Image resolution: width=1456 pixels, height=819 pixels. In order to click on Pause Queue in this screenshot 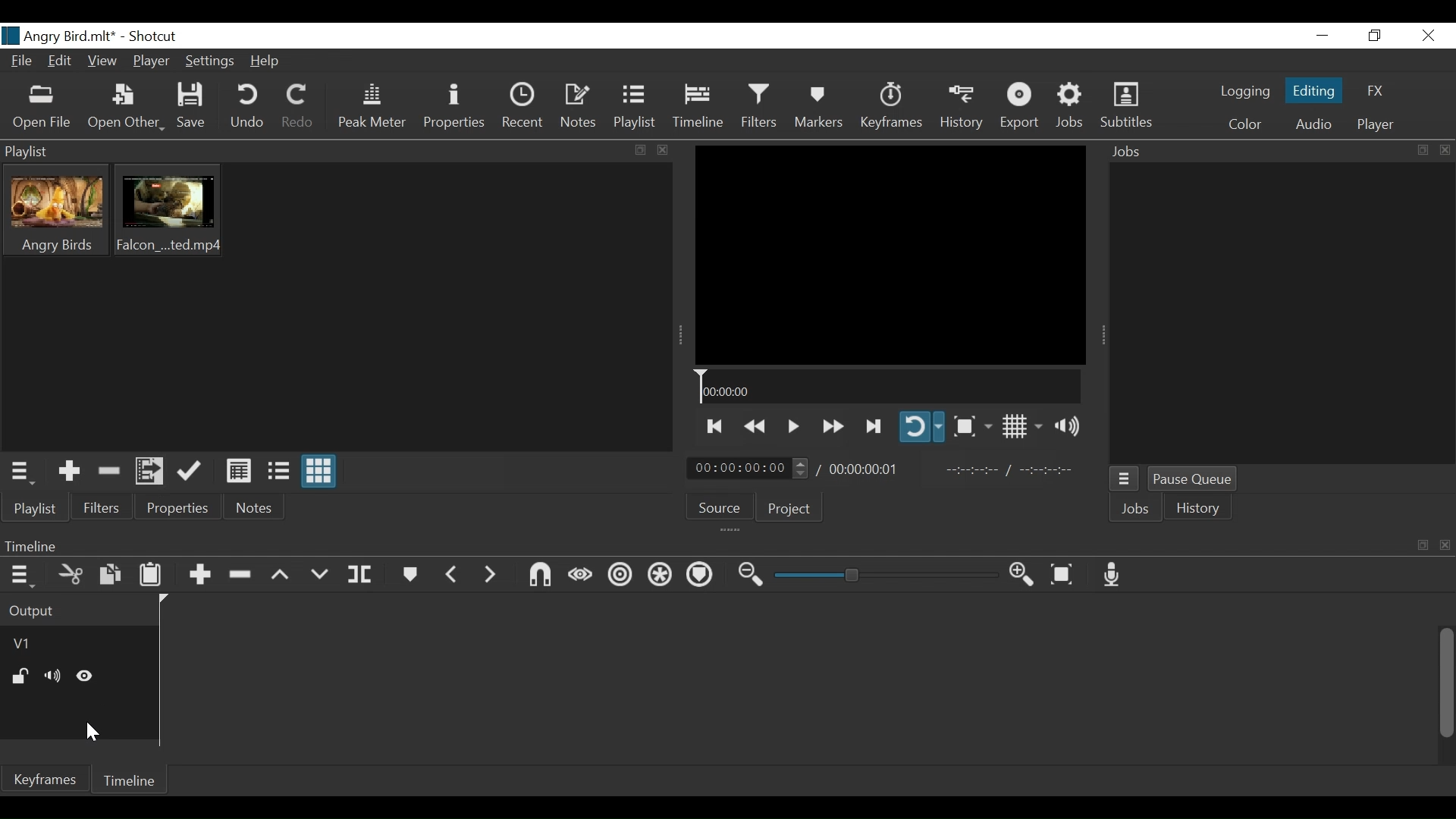, I will do `click(1193, 479)`.